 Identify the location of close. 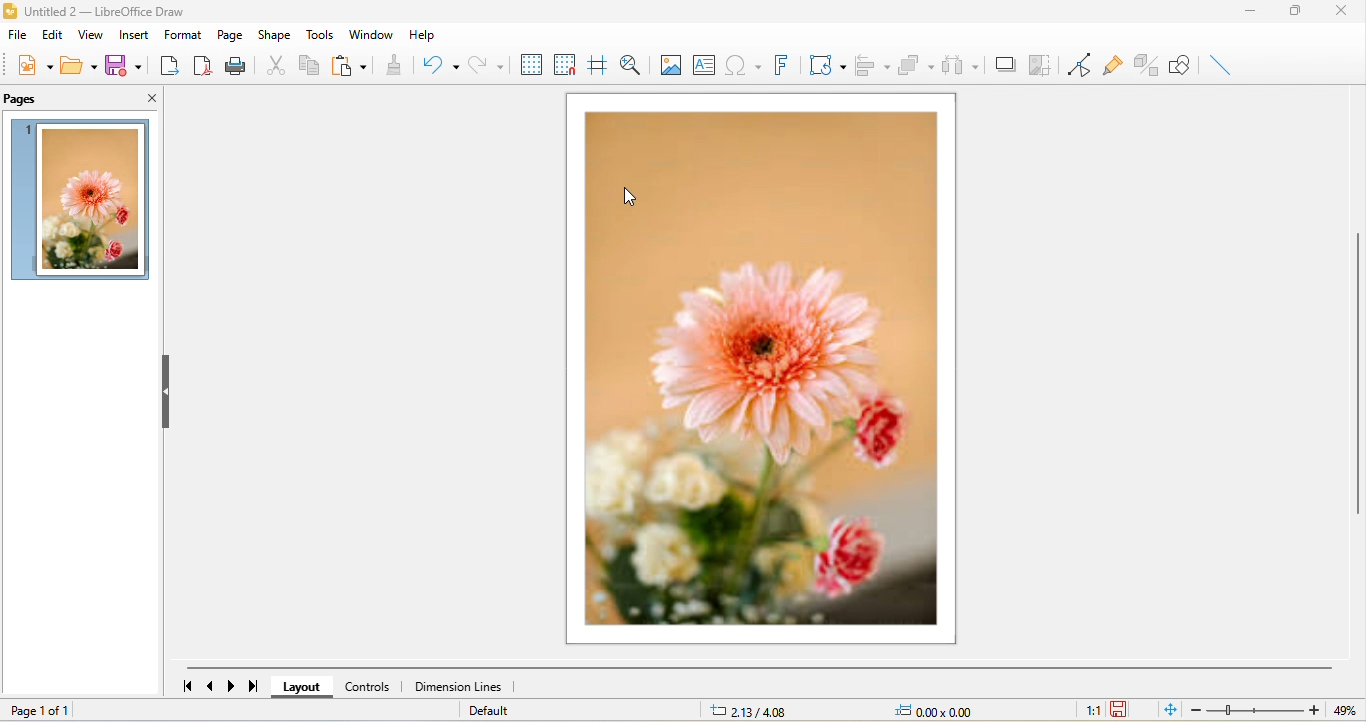
(1346, 14).